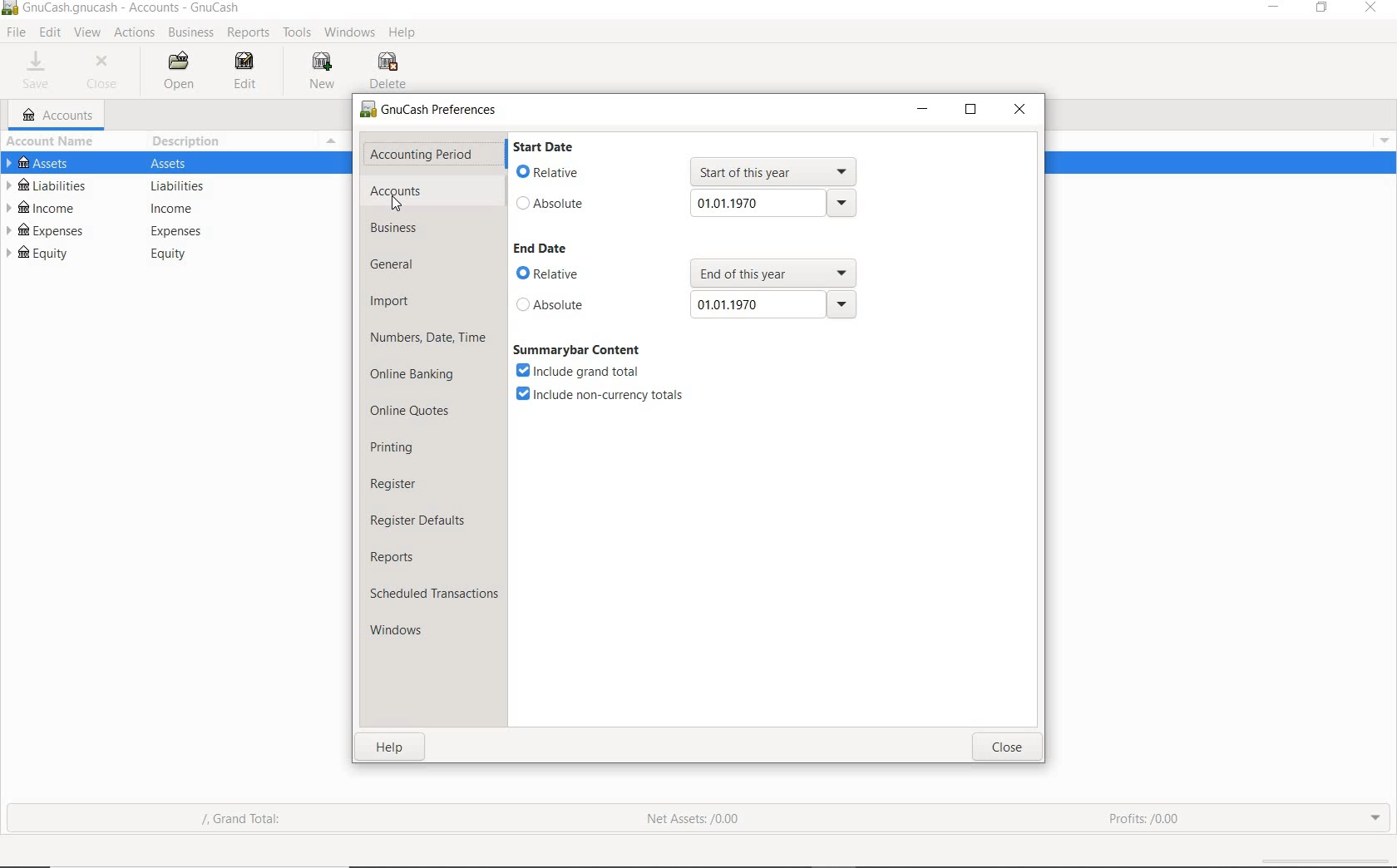 The image size is (1397, 868). What do you see at coordinates (432, 112) in the screenshot?
I see `preferences` at bounding box center [432, 112].